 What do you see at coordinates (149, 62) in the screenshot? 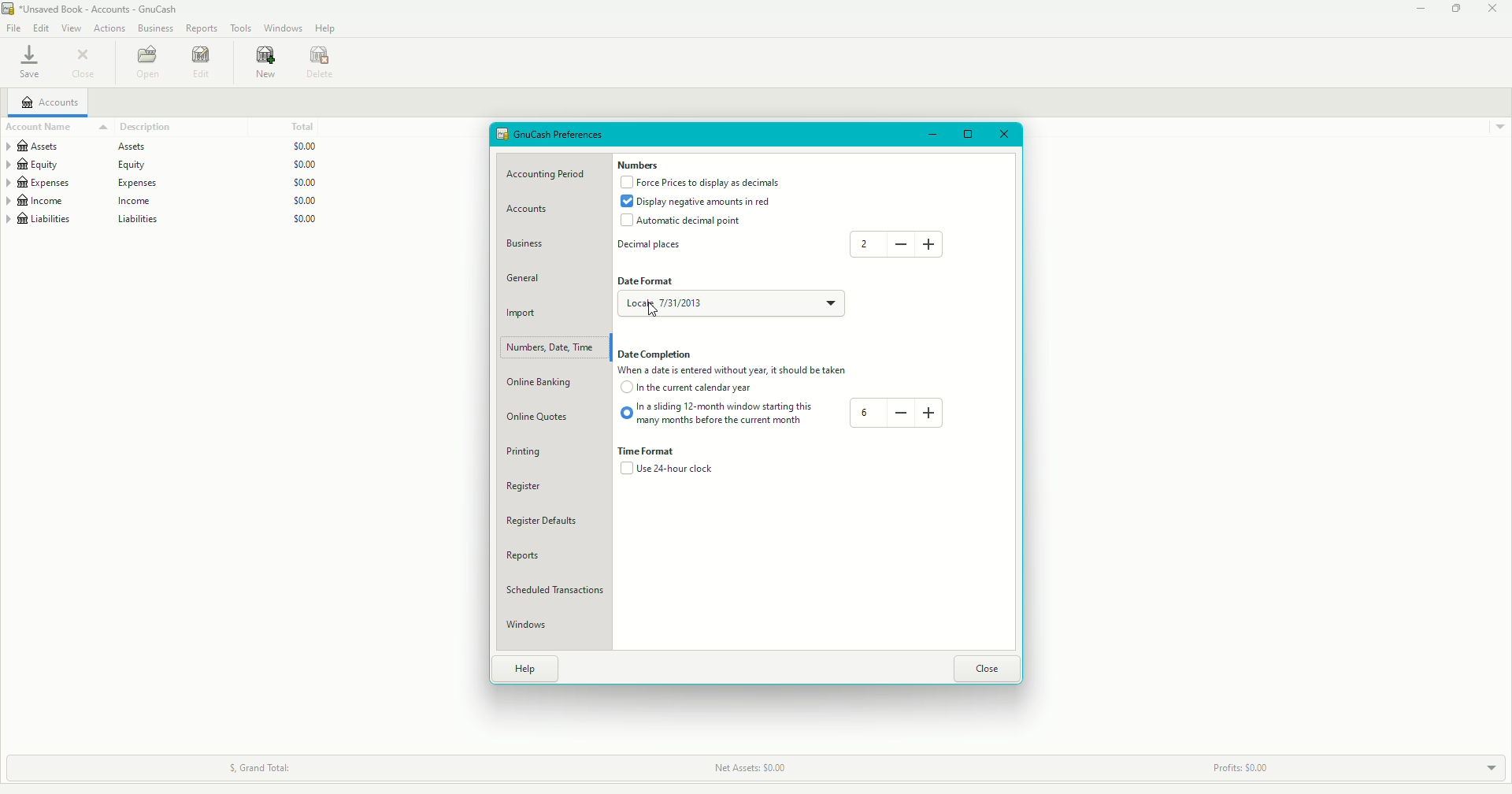
I see `Open` at bounding box center [149, 62].